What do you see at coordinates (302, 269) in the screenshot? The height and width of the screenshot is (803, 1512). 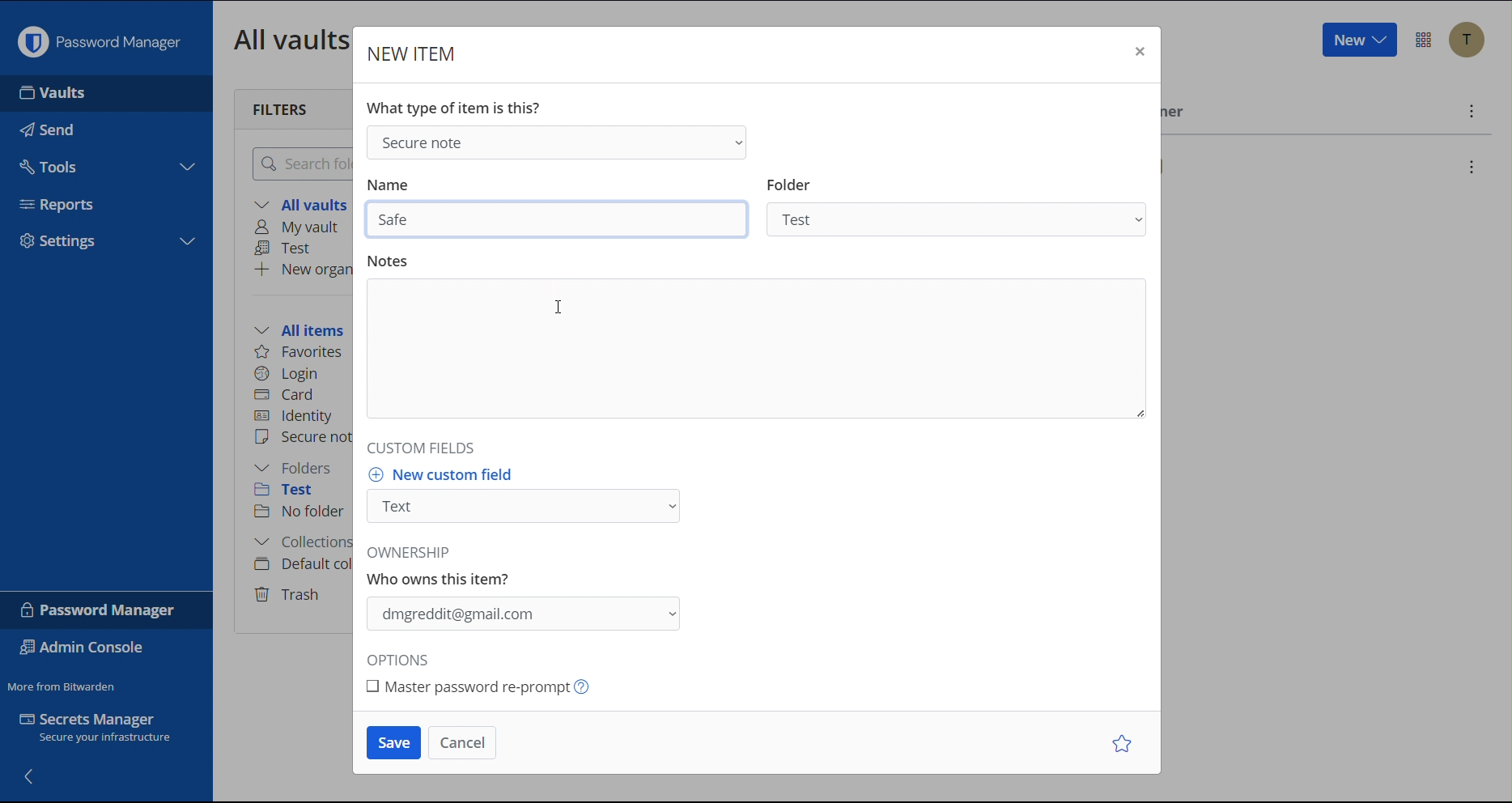 I see `New organization` at bounding box center [302, 269].